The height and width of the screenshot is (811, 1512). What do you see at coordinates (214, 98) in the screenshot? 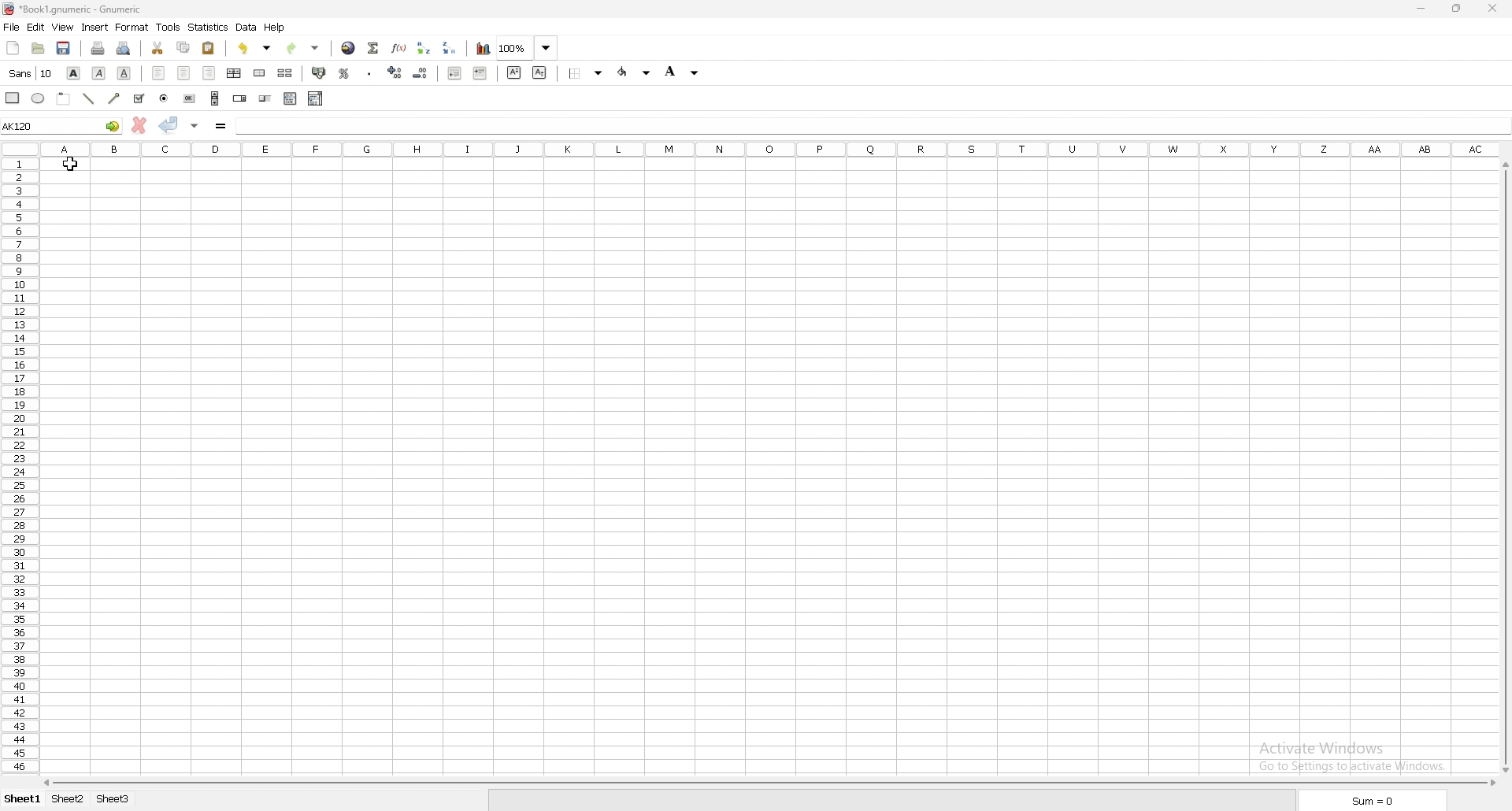
I see `scroll bar` at bounding box center [214, 98].